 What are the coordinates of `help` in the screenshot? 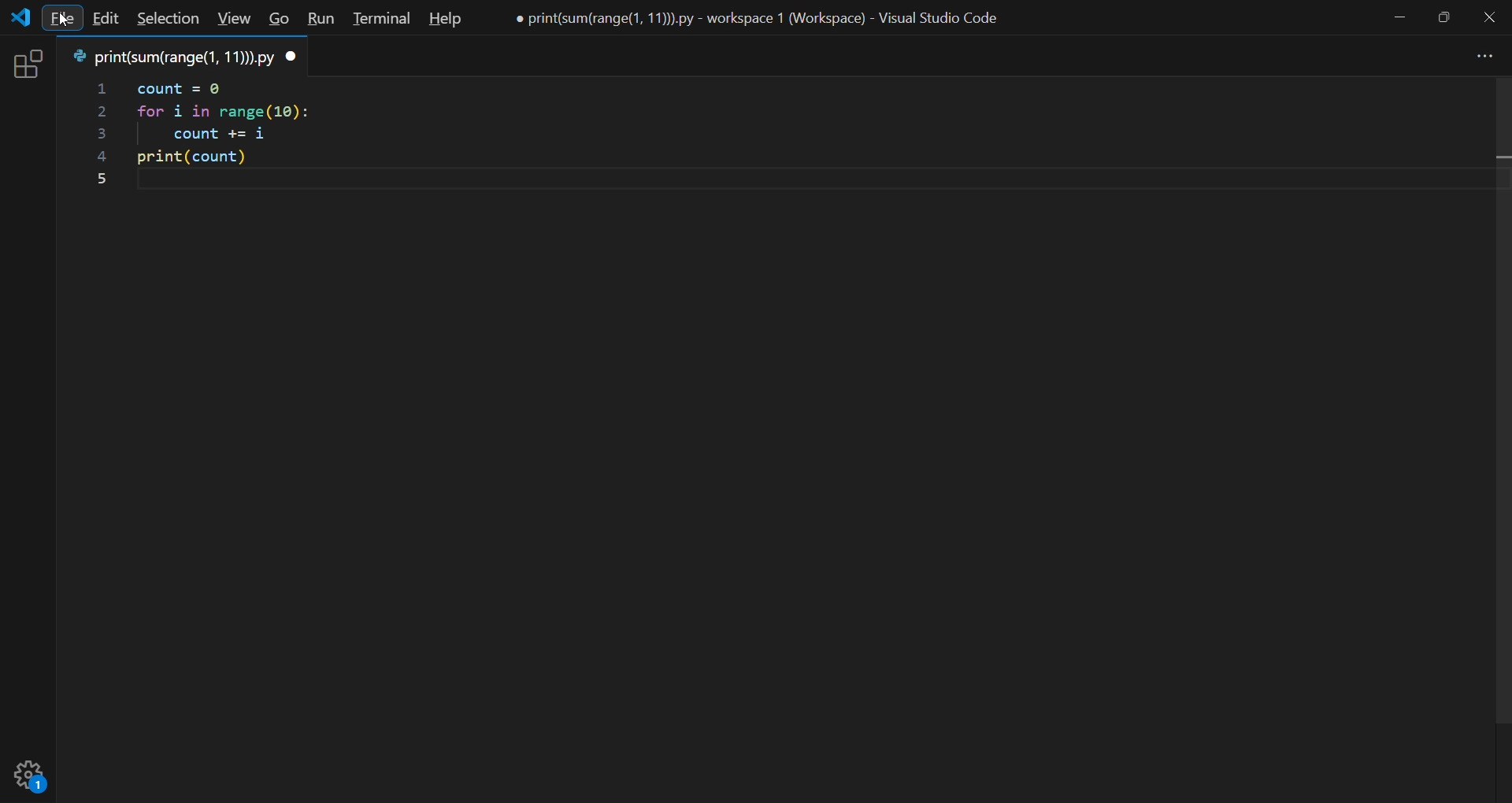 It's located at (442, 20).